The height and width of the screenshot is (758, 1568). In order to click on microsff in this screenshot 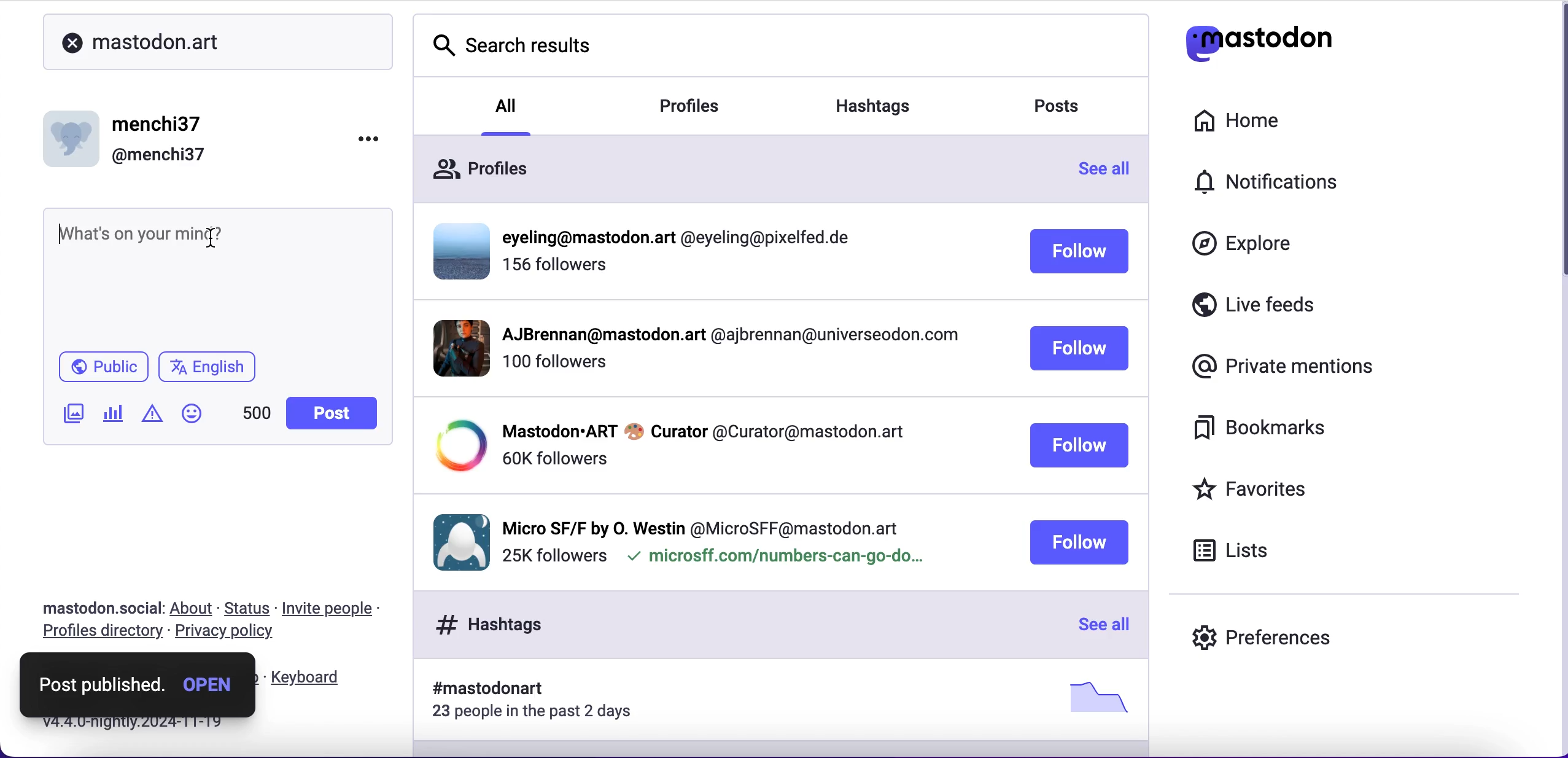, I will do `click(774, 559)`.